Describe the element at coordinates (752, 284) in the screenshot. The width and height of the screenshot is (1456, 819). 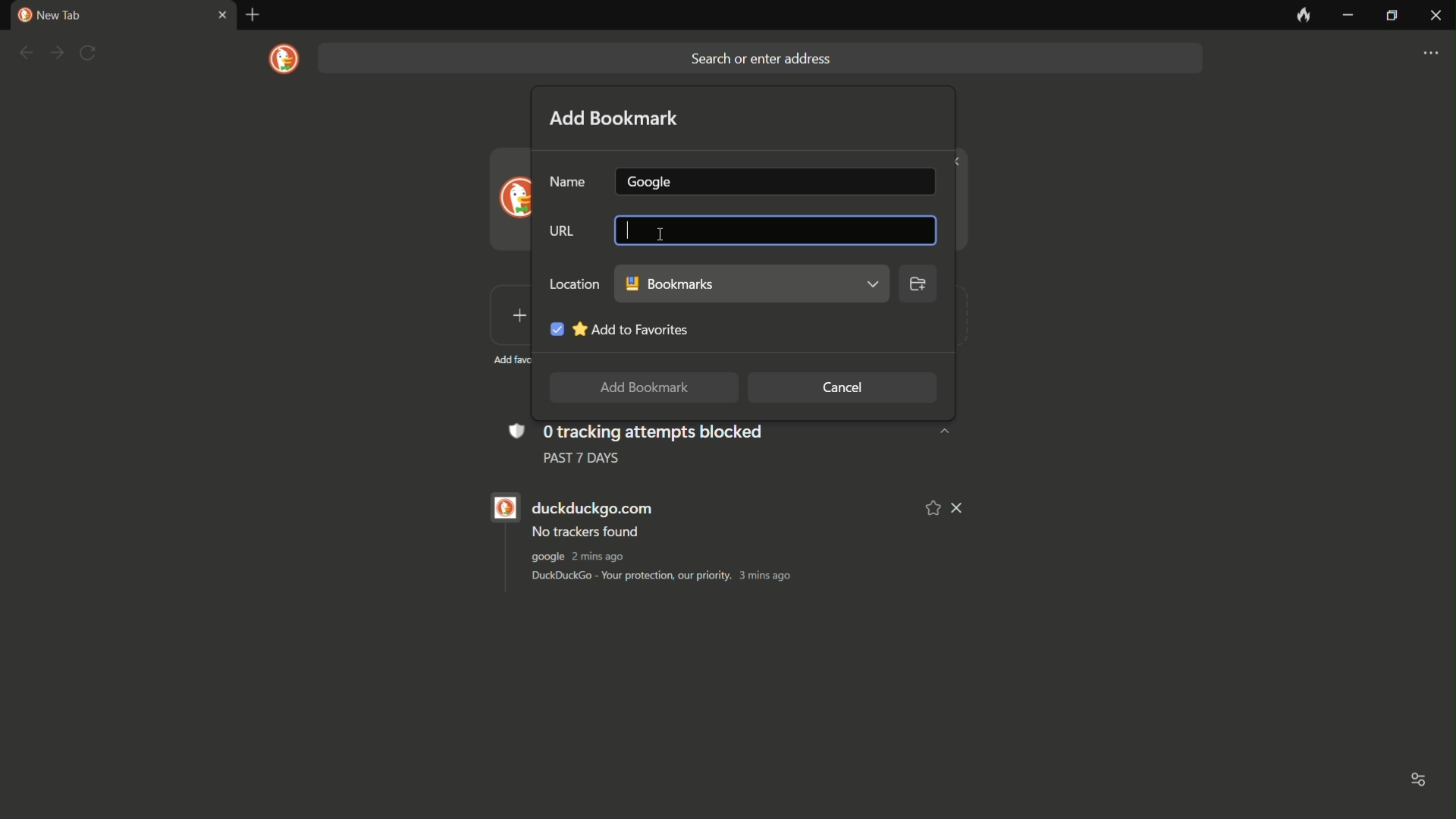
I see `bookmark` at that location.